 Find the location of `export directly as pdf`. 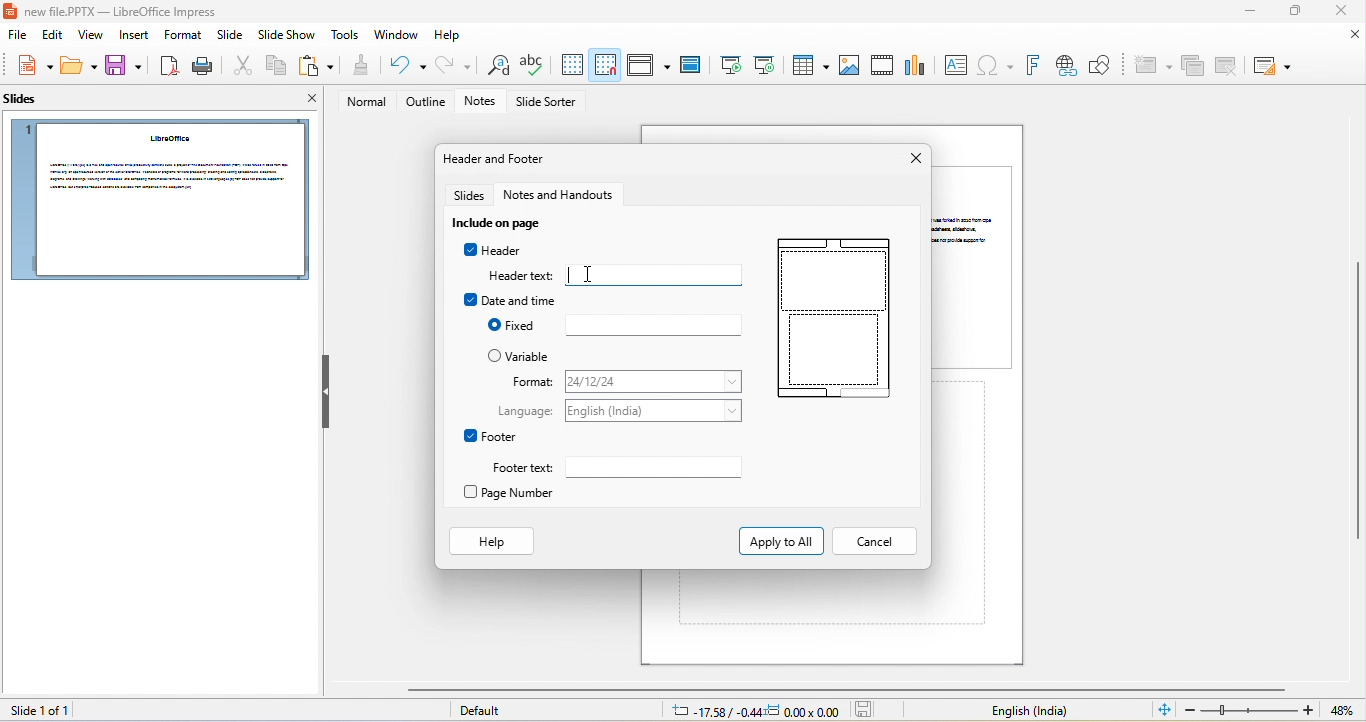

export directly as pdf is located at coordinates (167, 66).